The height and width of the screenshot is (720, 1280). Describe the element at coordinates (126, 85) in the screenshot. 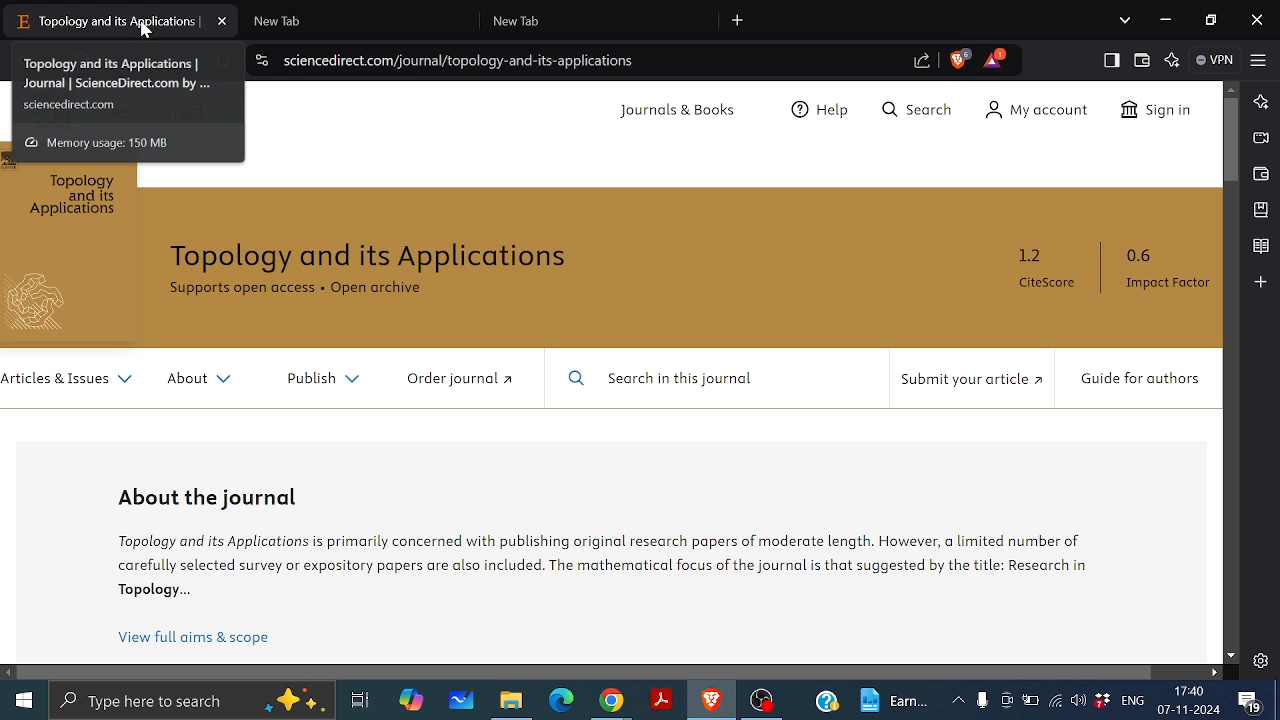

I see `Name and link of the current tab` at that location.